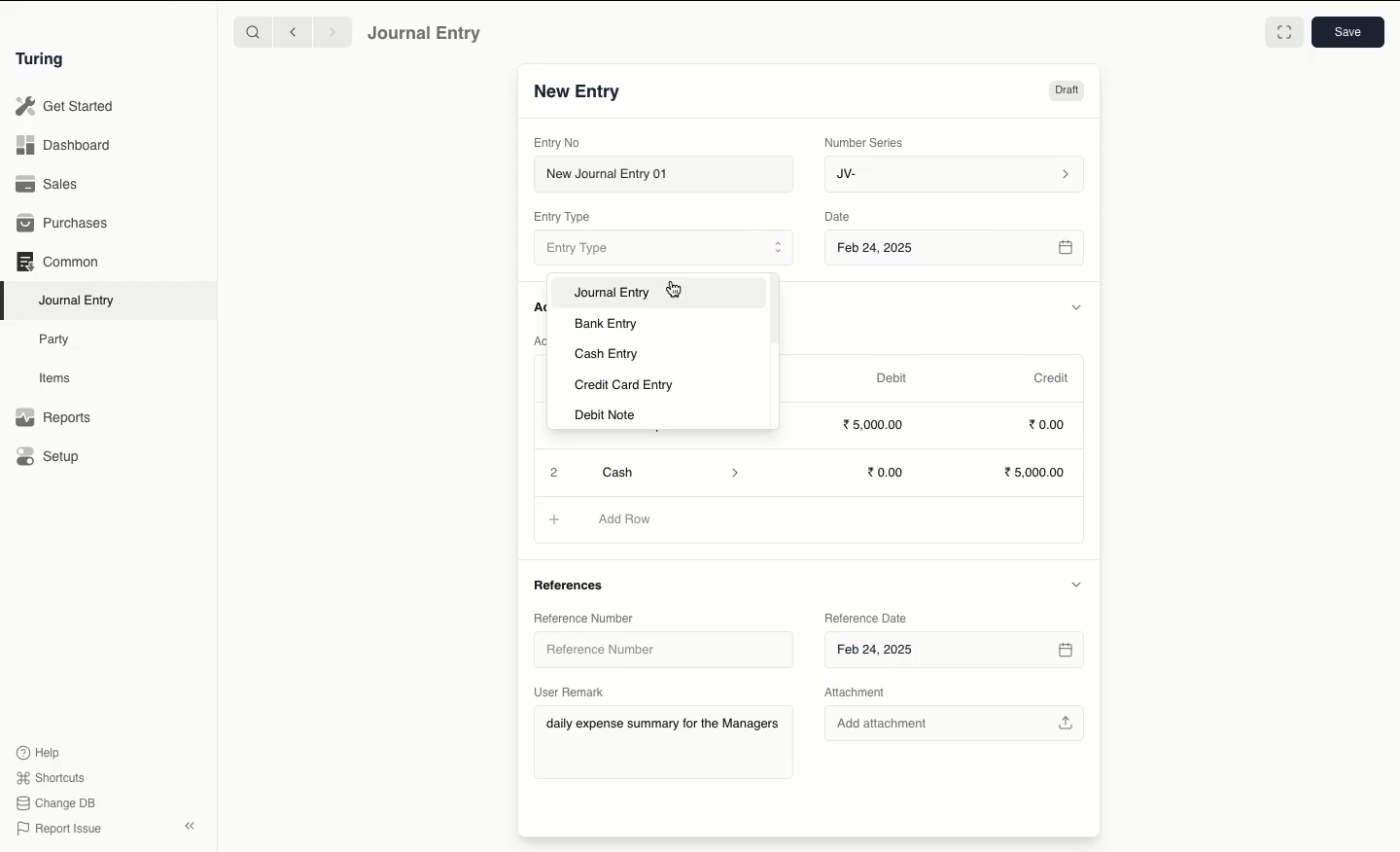 The height and width of the screenshot is (852, 1400). I want to click on Feb 24, 2025, so click(955, 652).